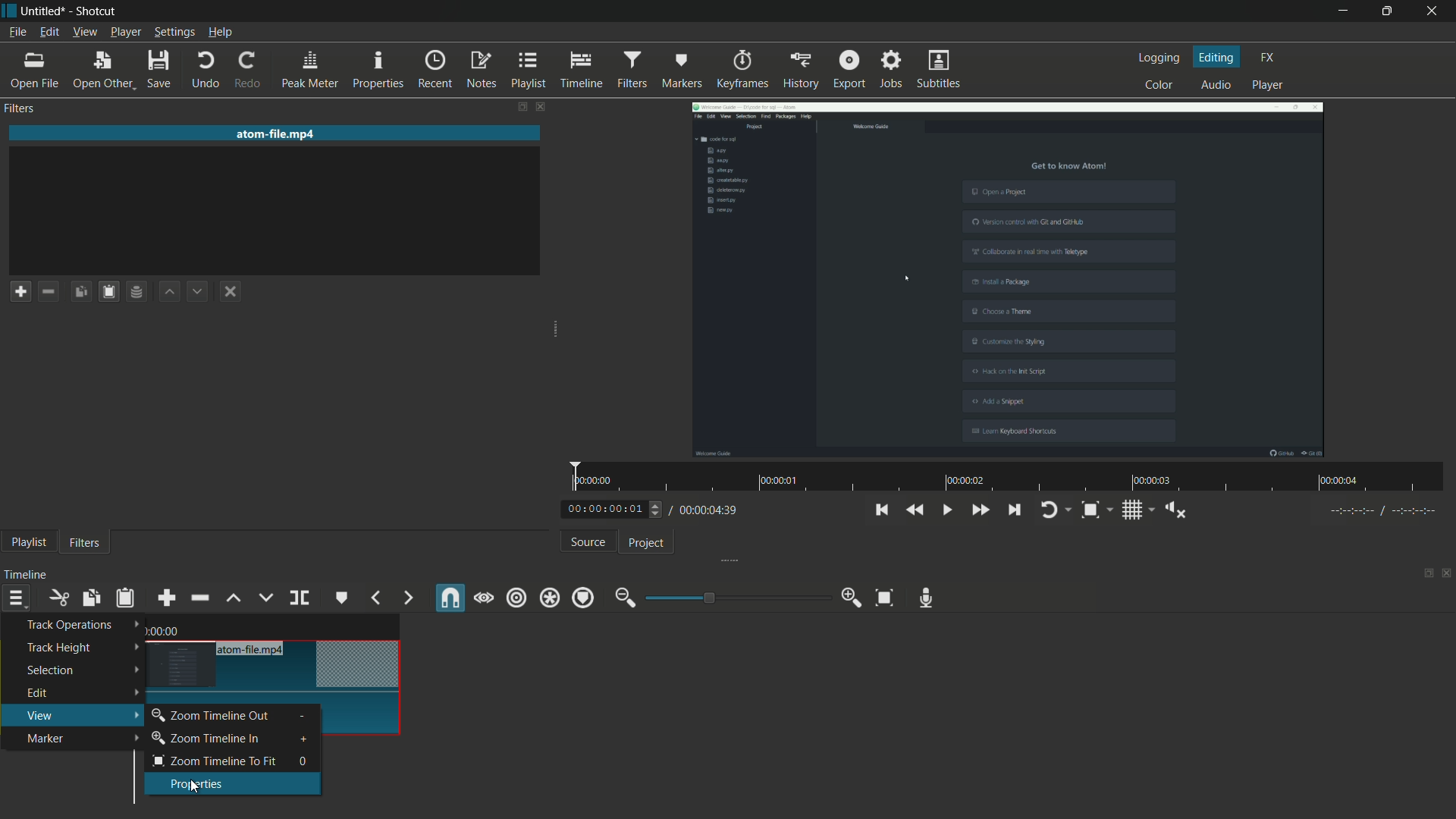  Describe the element at coordinates (173, 33) in the screenshot. I see `settings menu` at that location.